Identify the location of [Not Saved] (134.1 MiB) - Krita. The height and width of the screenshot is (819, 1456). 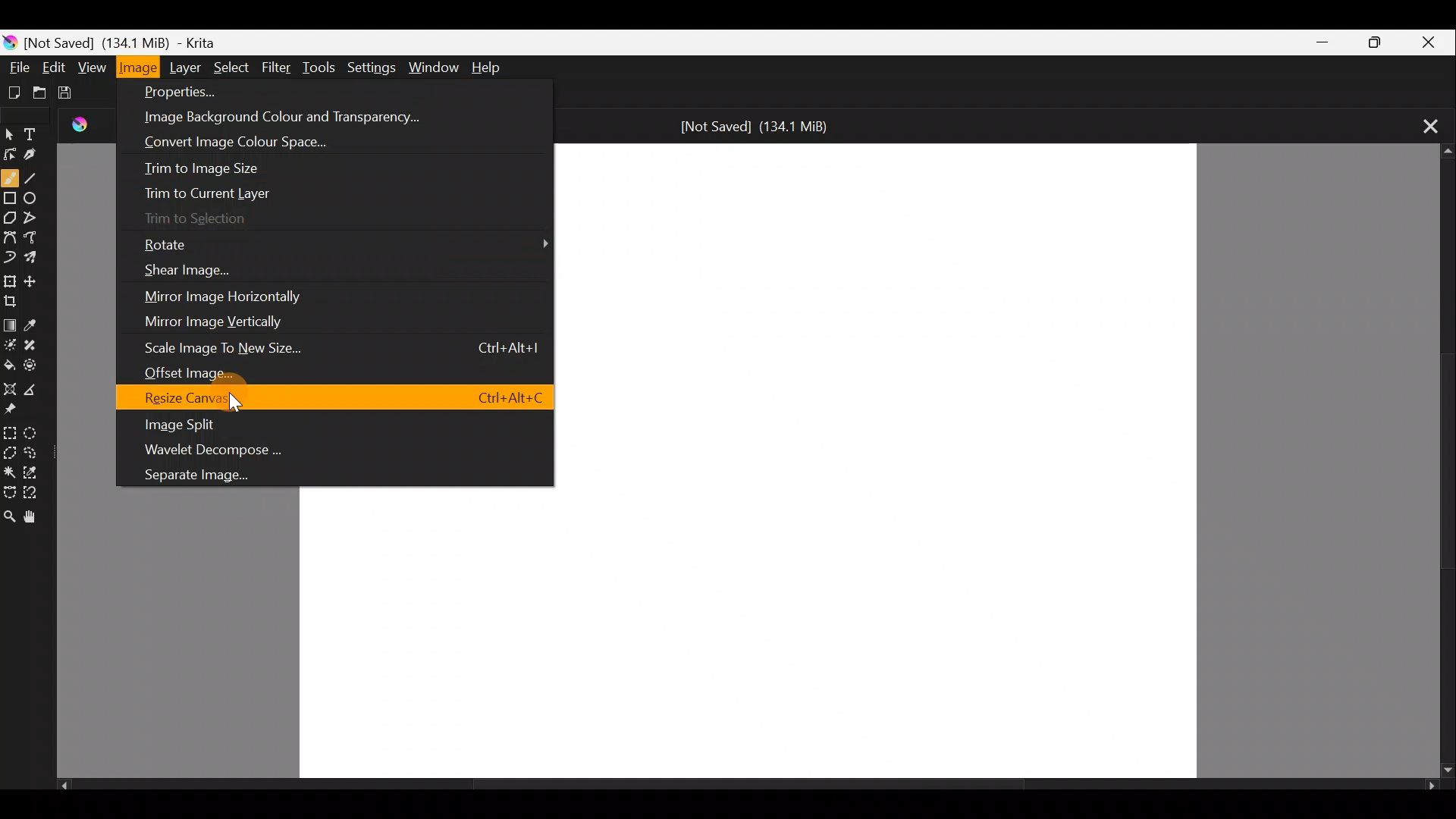
(160, 39).